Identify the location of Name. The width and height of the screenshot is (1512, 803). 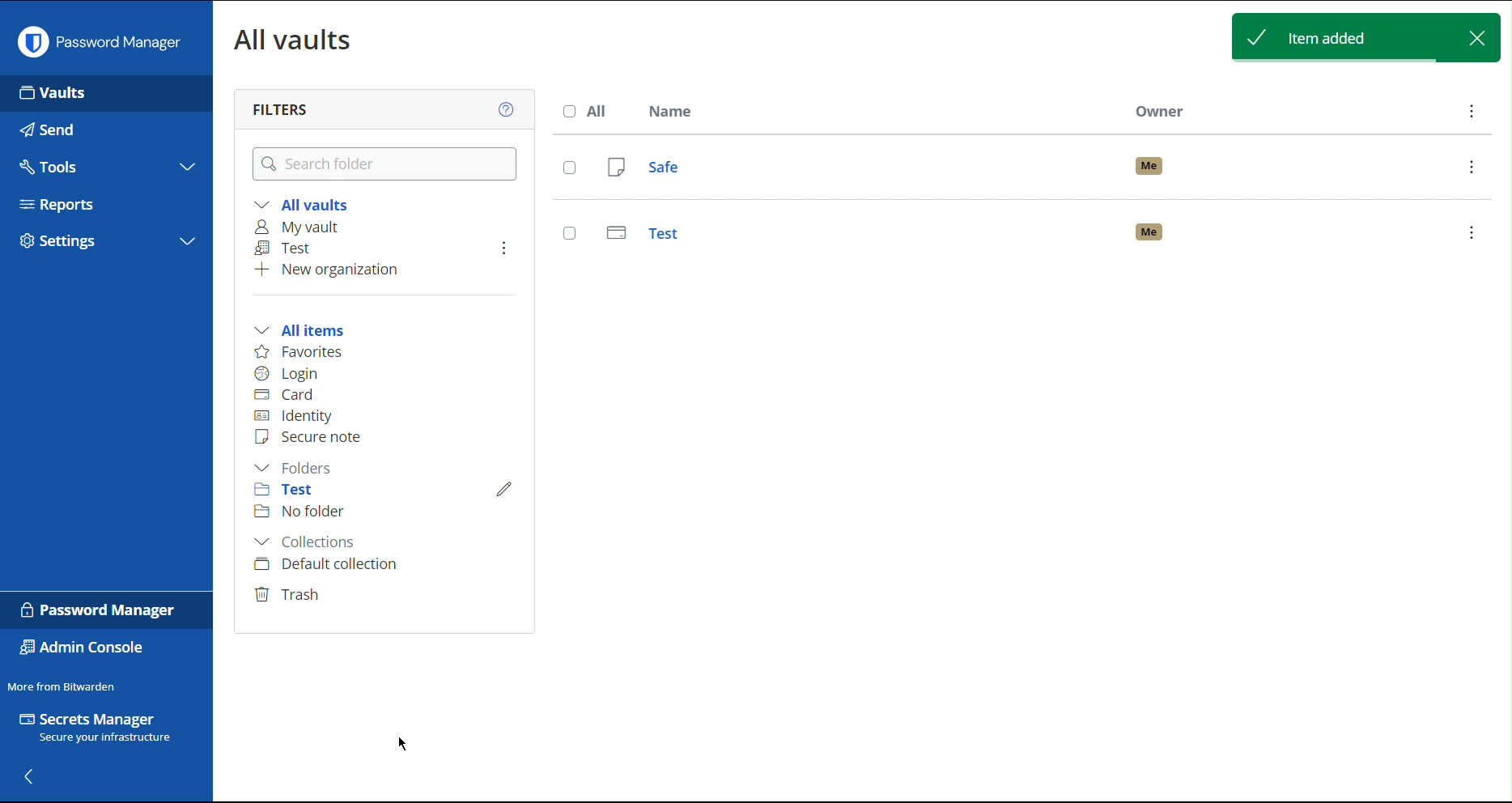
(669, 113).